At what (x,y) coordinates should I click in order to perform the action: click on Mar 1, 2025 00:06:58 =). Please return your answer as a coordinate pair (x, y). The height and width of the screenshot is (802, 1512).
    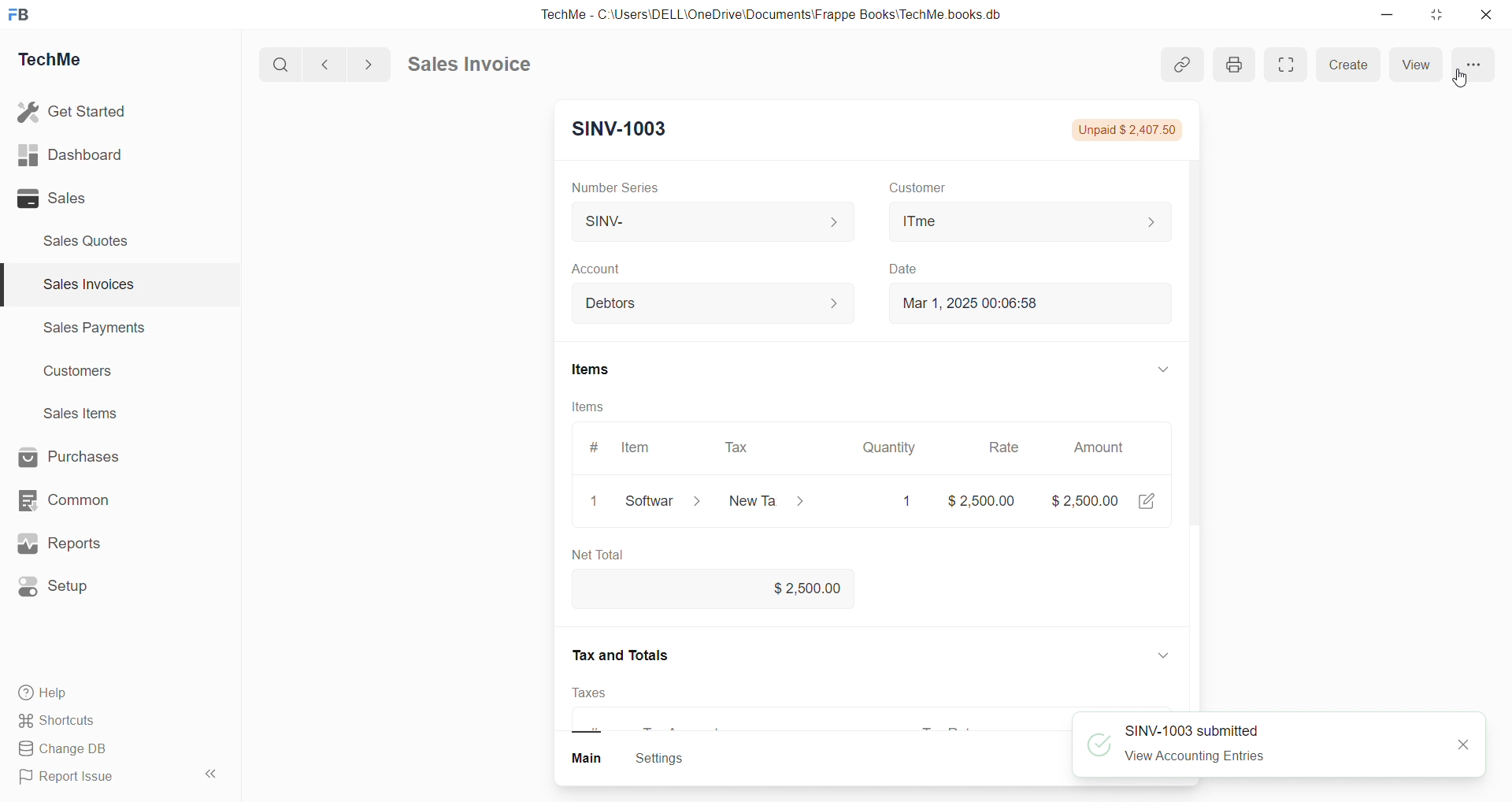
    Looking at the image, I should click on (1033, 303).